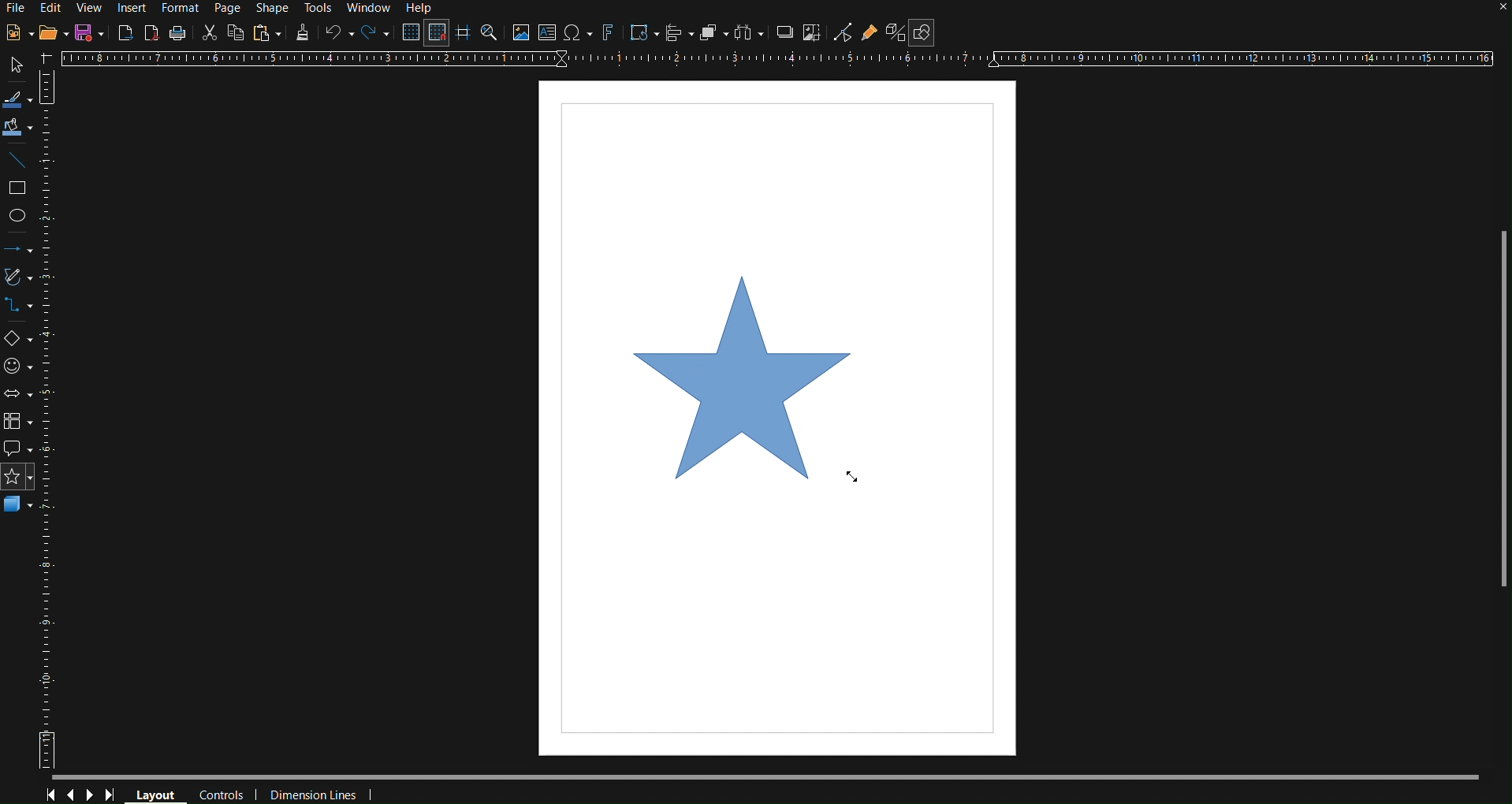  Describe the element at coordinates (747, 35) in the screenshot. I see `Distribute Objects` at that location.